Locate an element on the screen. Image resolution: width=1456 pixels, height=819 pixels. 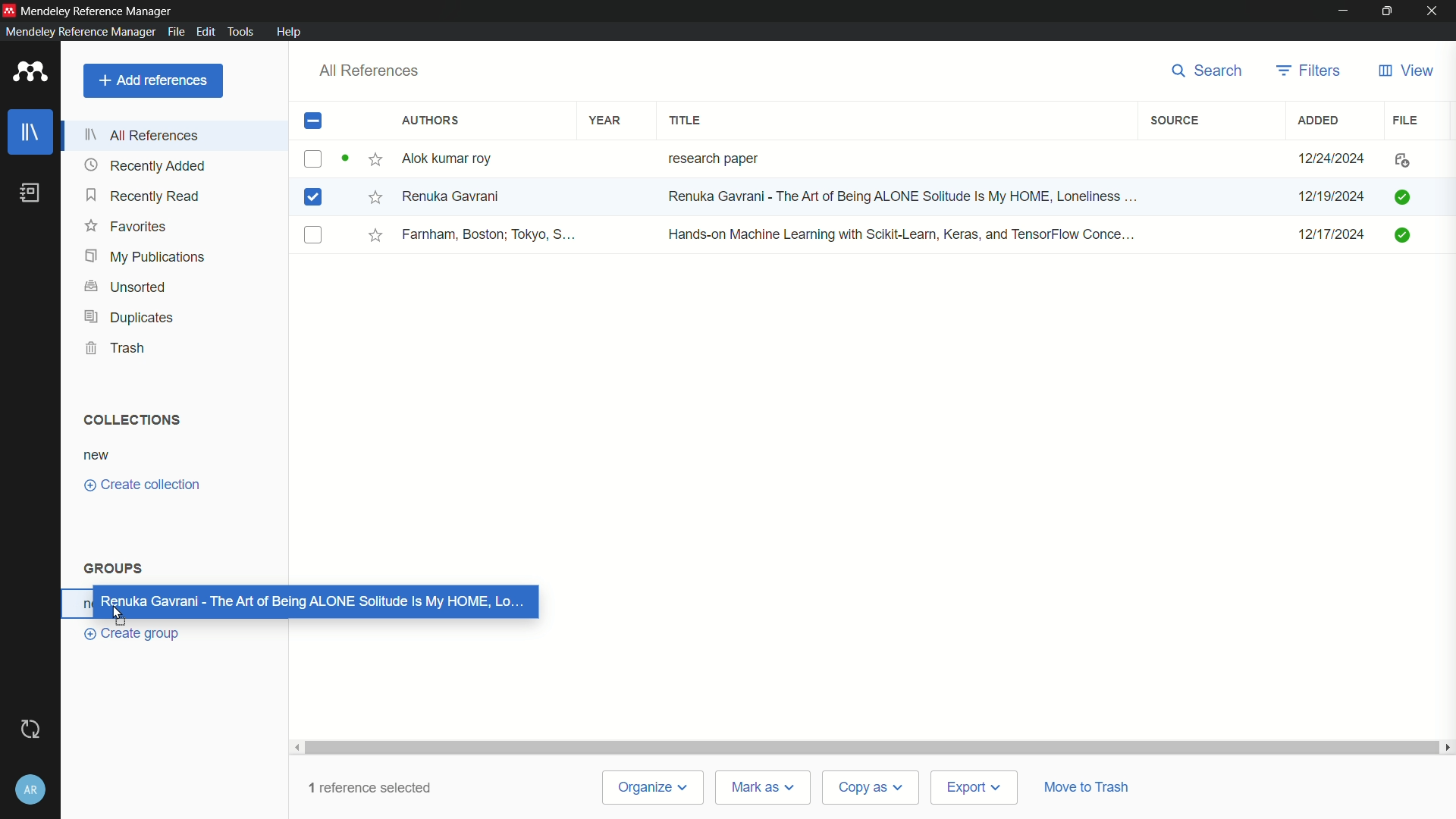
dragging book into the new group is located at coordinates (309, 602).